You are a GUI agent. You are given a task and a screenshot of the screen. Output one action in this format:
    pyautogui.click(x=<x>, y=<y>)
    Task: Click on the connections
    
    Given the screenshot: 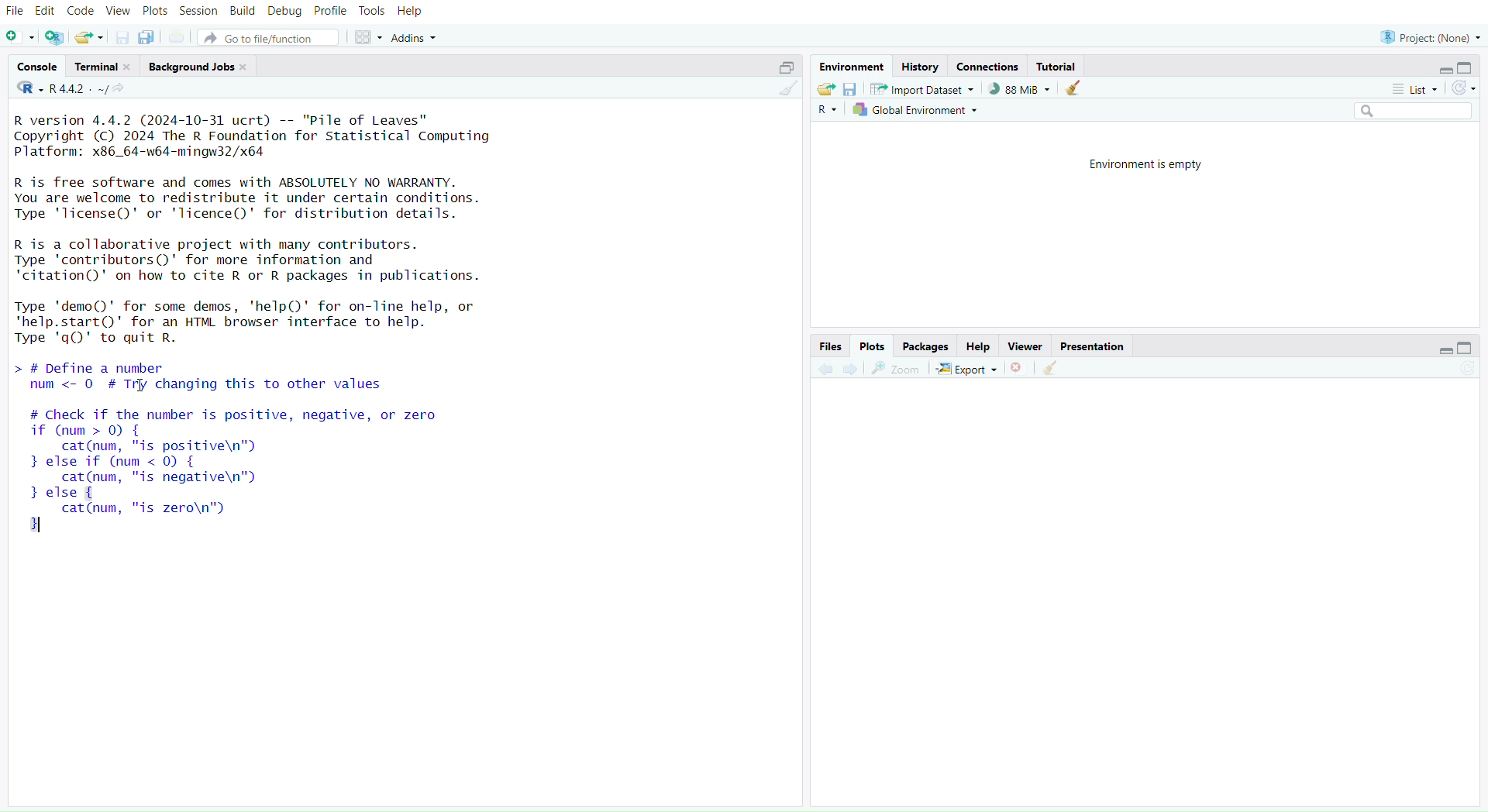 What is the action you would take?
    pyautogui.click(x=990, y=68)
    